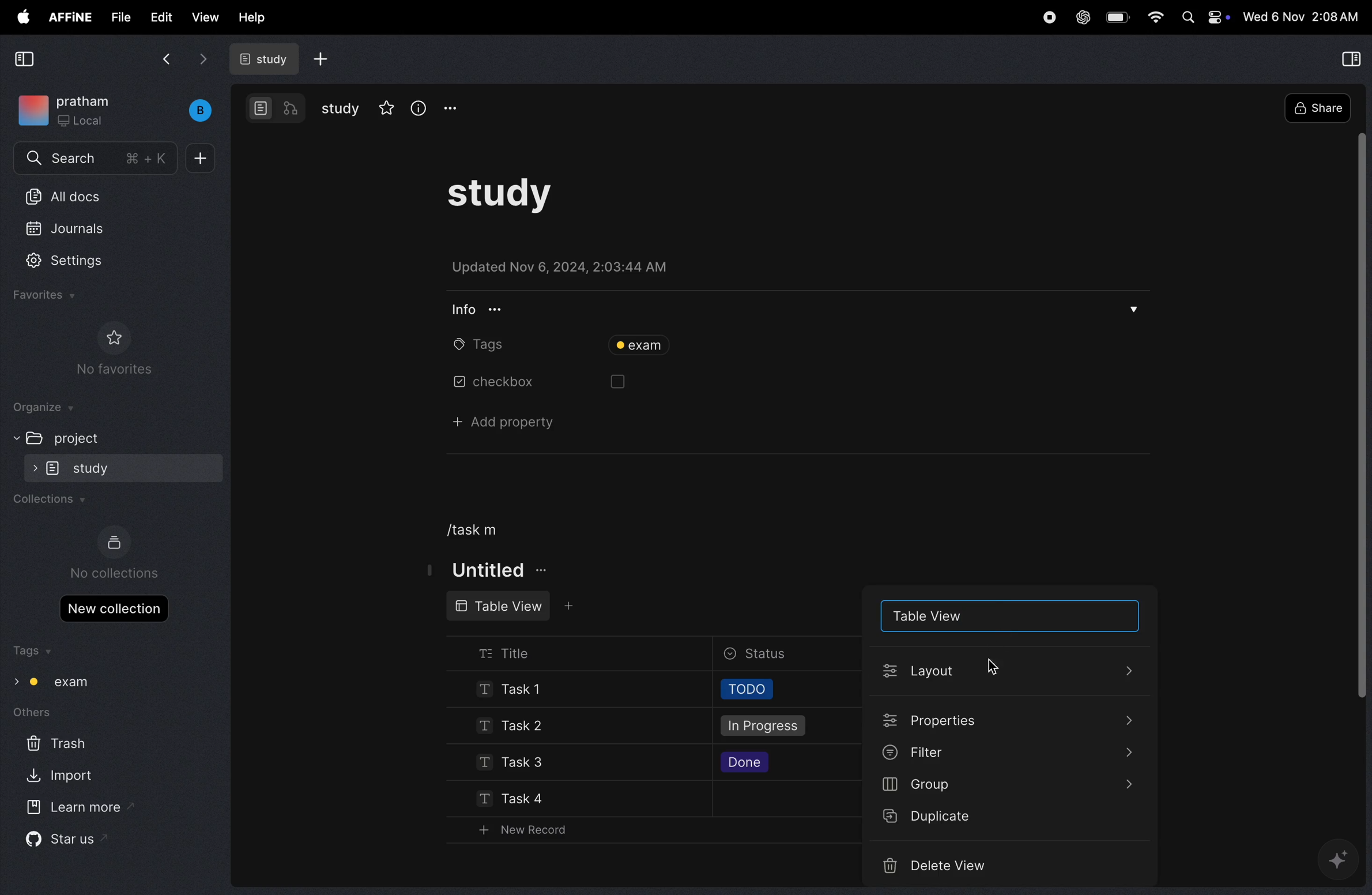  Describe the element at coordinates (507, 727) in the screenshot. I see `task 2` at that location.